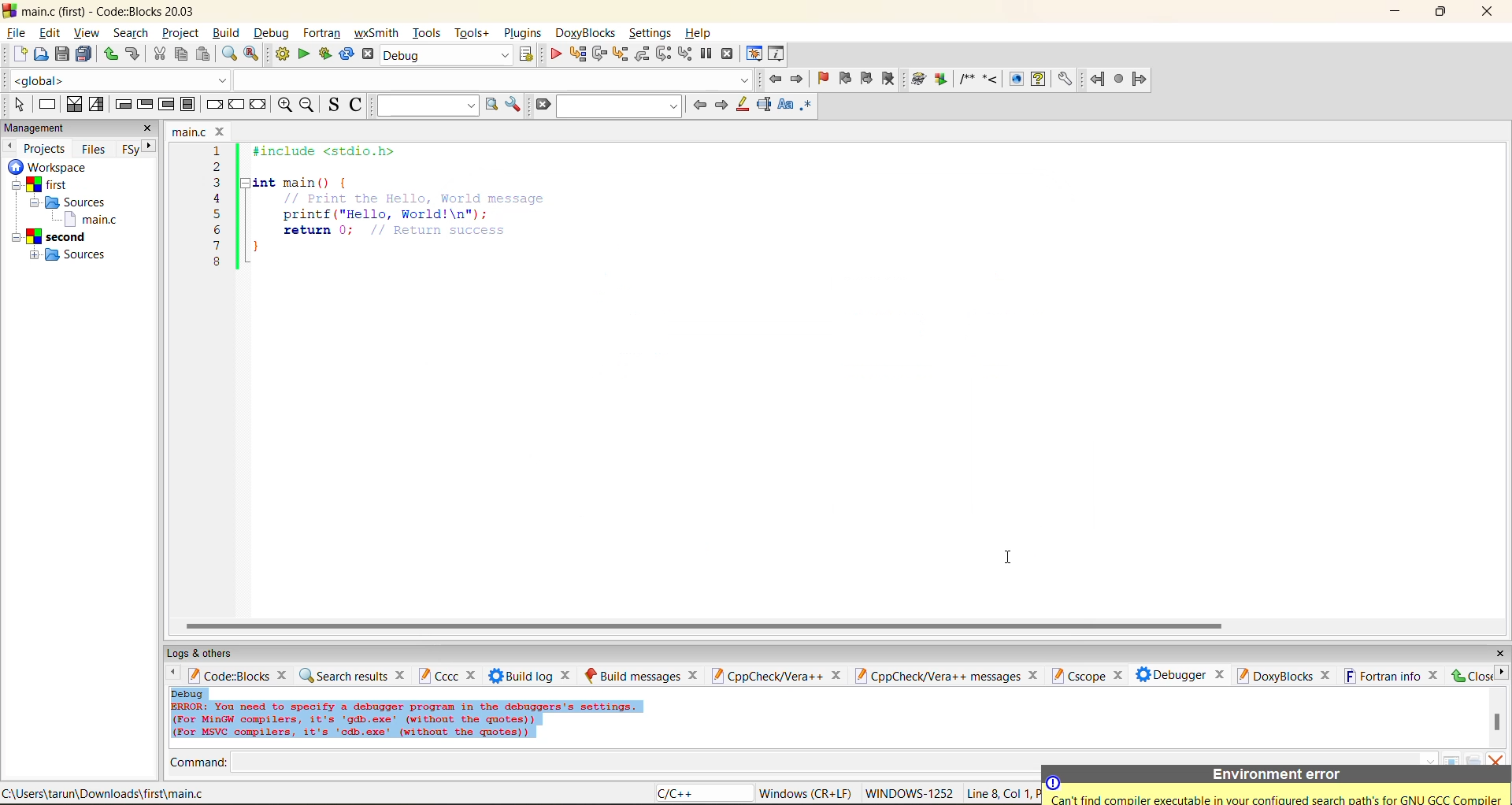  What do you see at coordinates (524, 33) in the screenshot?
I see `plugins` at bounding box center [524, 33].